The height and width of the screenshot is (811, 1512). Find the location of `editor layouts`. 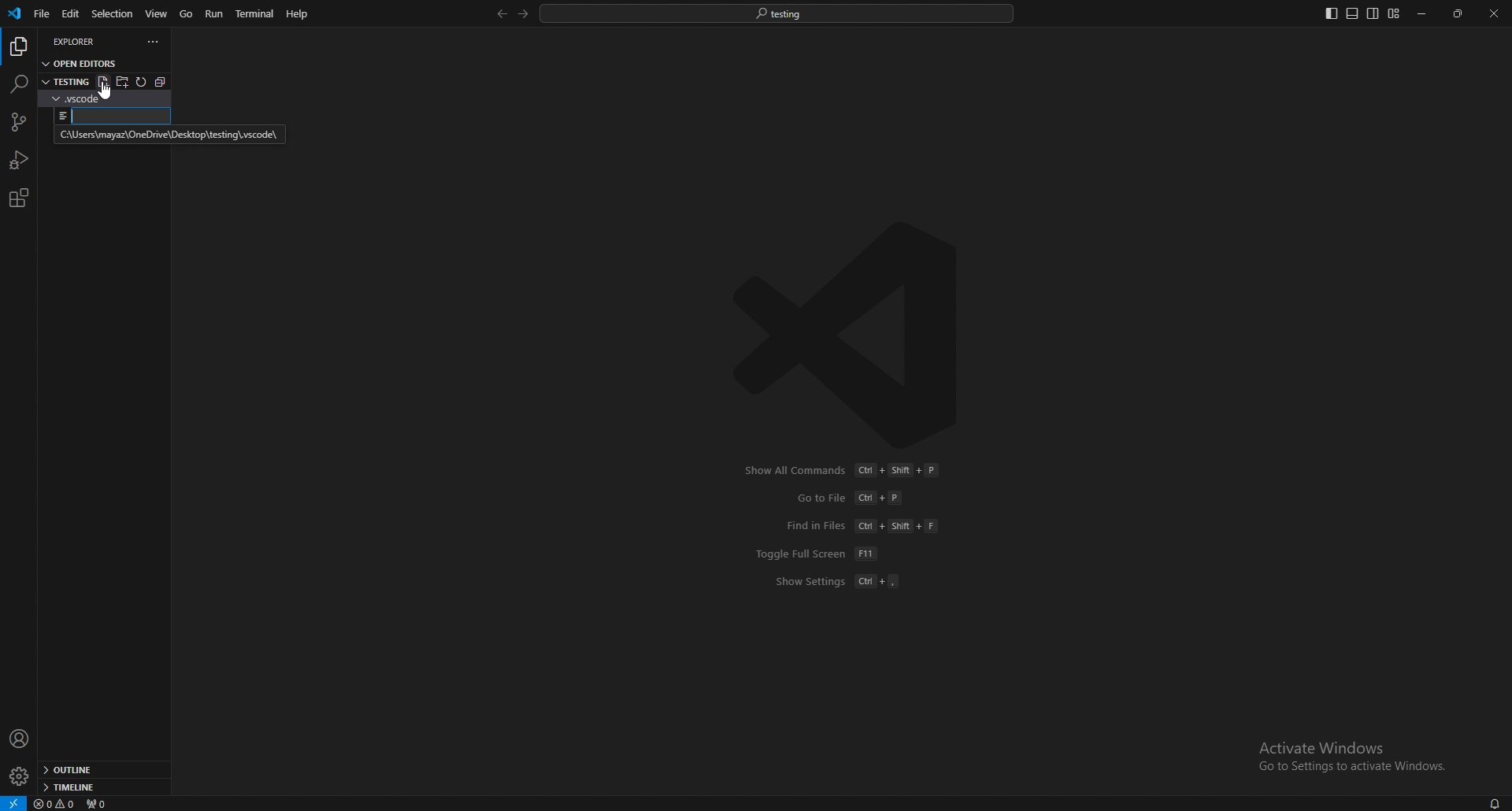

editor layouts is located at coordinates (1362, 13).